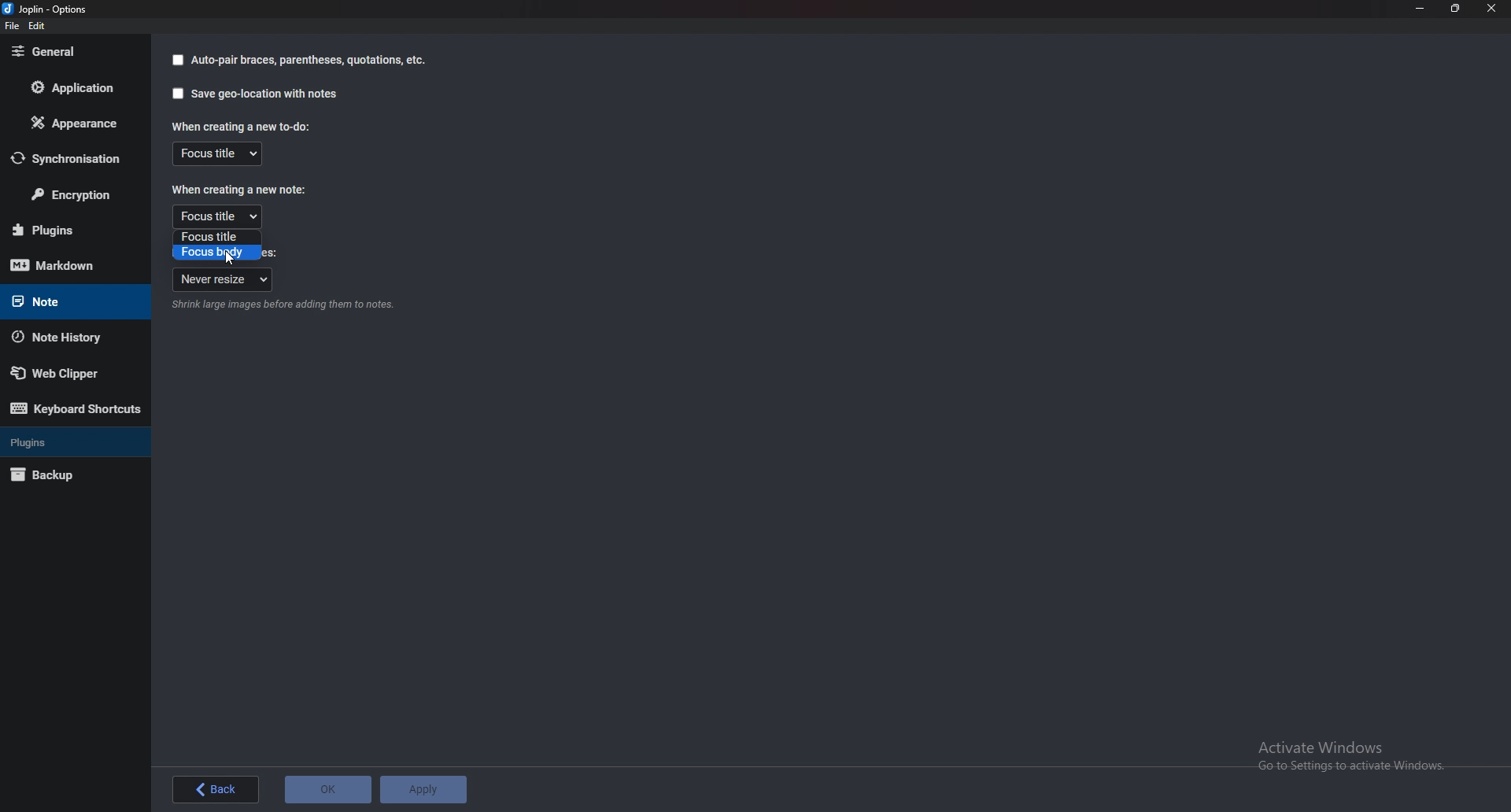 This screenshot has height=812, width=1511. Describe the element at coordinates (214, 789) in the screenshot. I see `back` at that location.